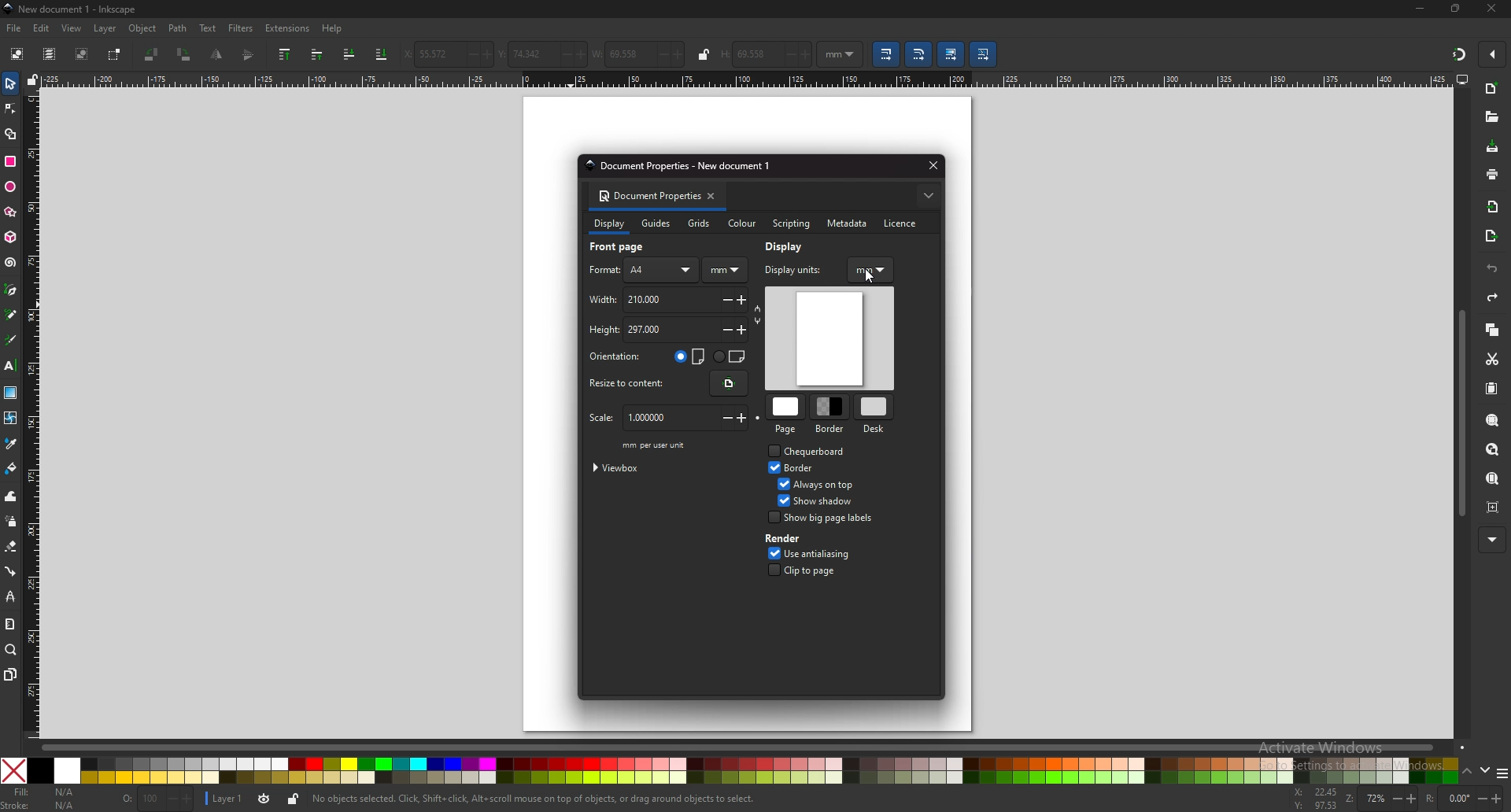  Describe the element at coordinates (382, 54) in the screenshot. I see `lower selection to bottom` at that location.